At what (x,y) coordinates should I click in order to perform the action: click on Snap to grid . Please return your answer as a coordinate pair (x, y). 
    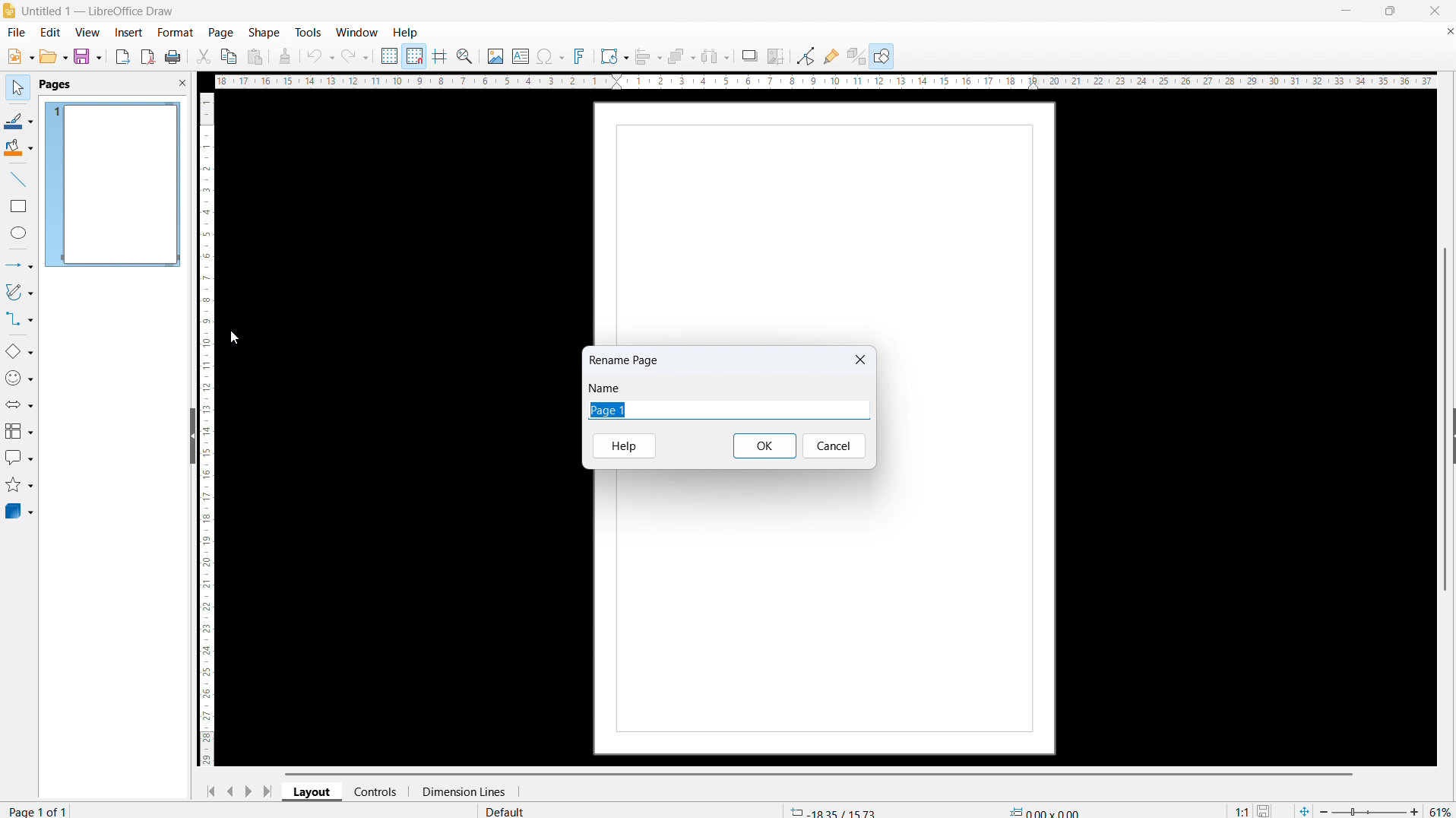
    Looking at the image, I should click on (414, 56).